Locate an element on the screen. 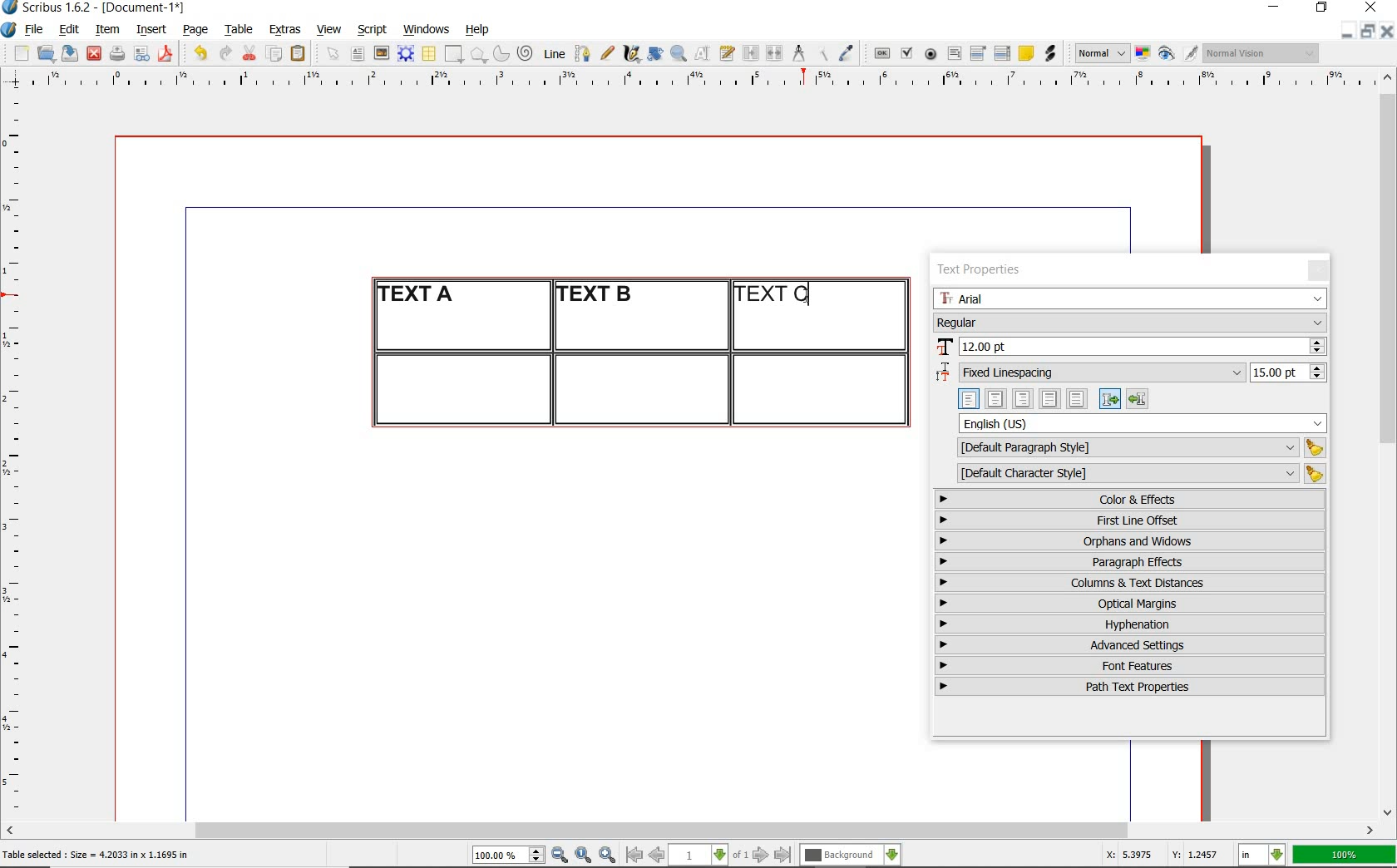 The image size is (1397, 868). help is located at coordinates (476, 31).